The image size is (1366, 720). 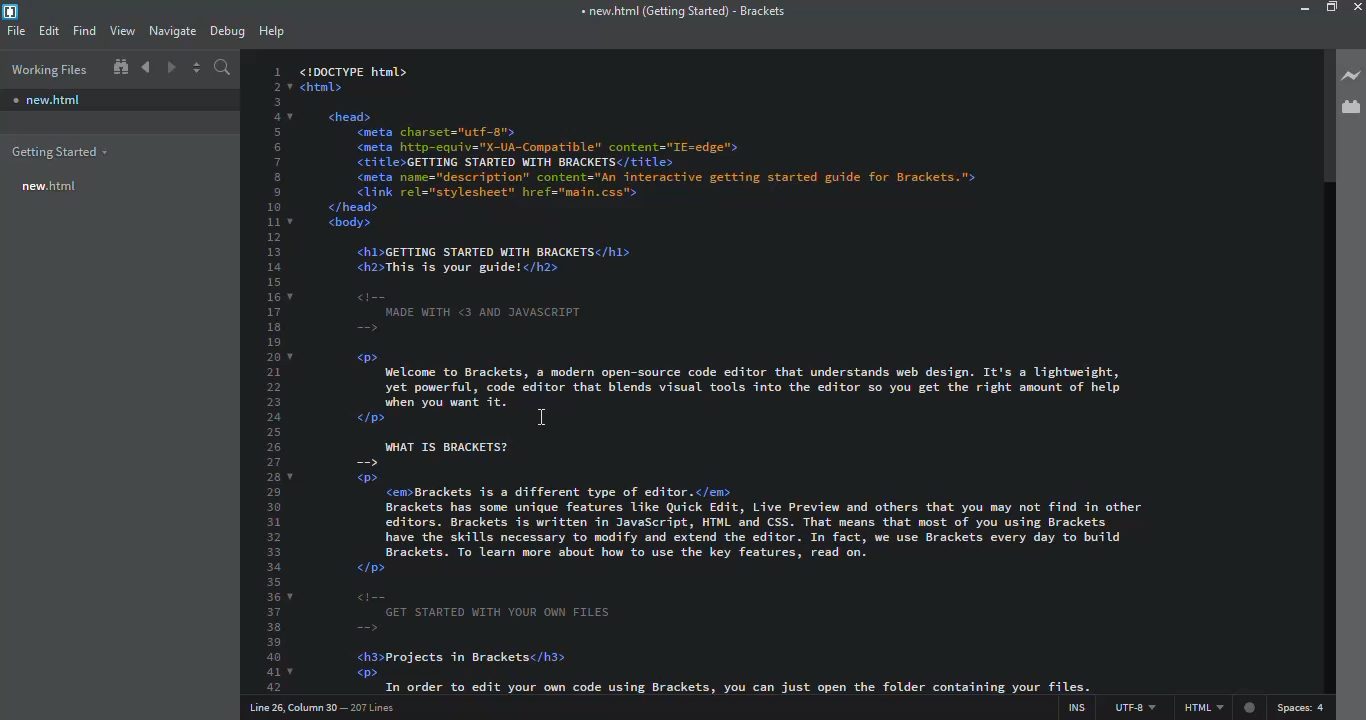 I want to click on working files, so click(x=46, y=67).